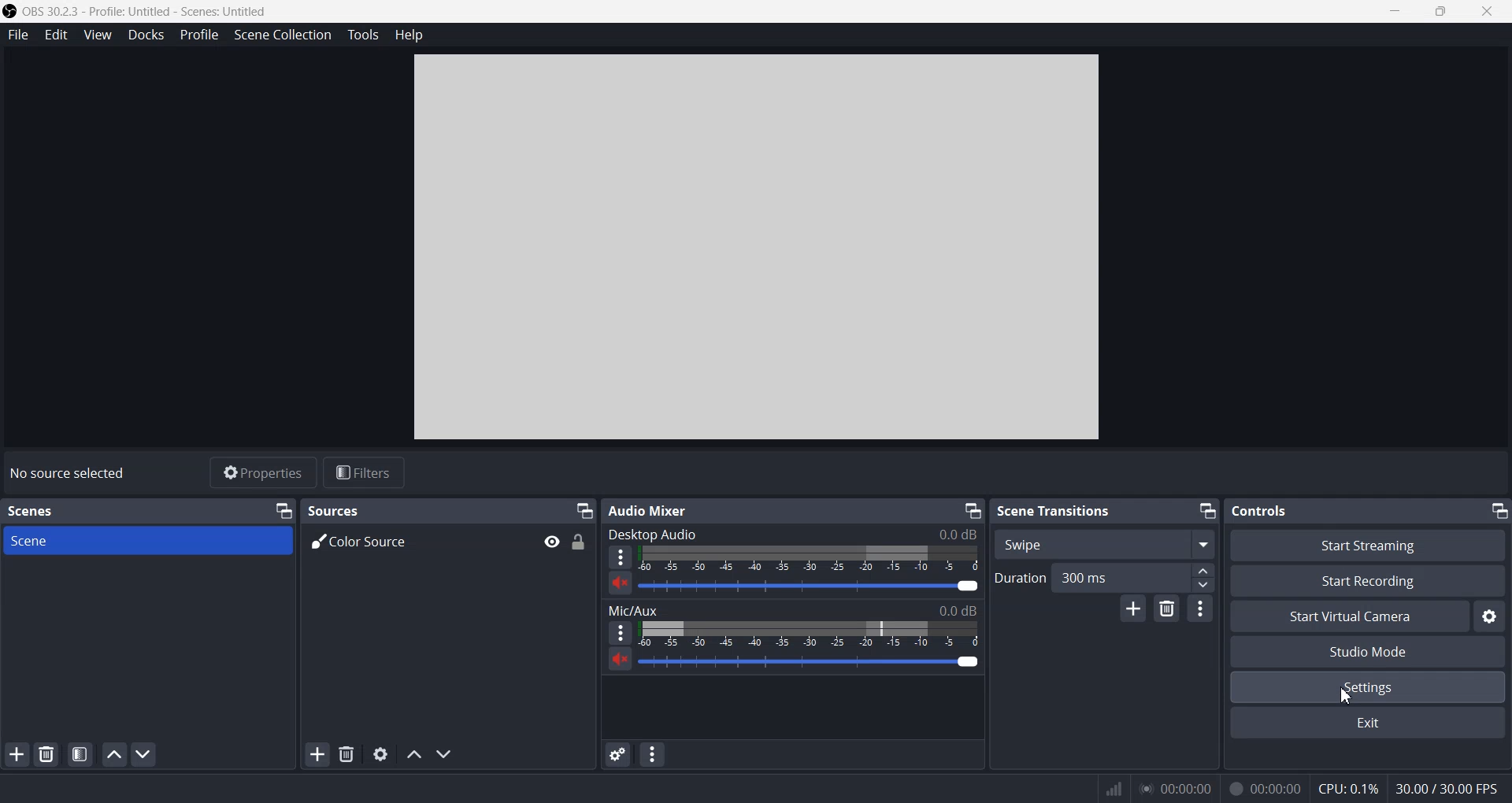 The width and height of the screenshot is (1512, 803). Describe the element at coordinates (620, 631) in the screenshot. I see `More` at that location.